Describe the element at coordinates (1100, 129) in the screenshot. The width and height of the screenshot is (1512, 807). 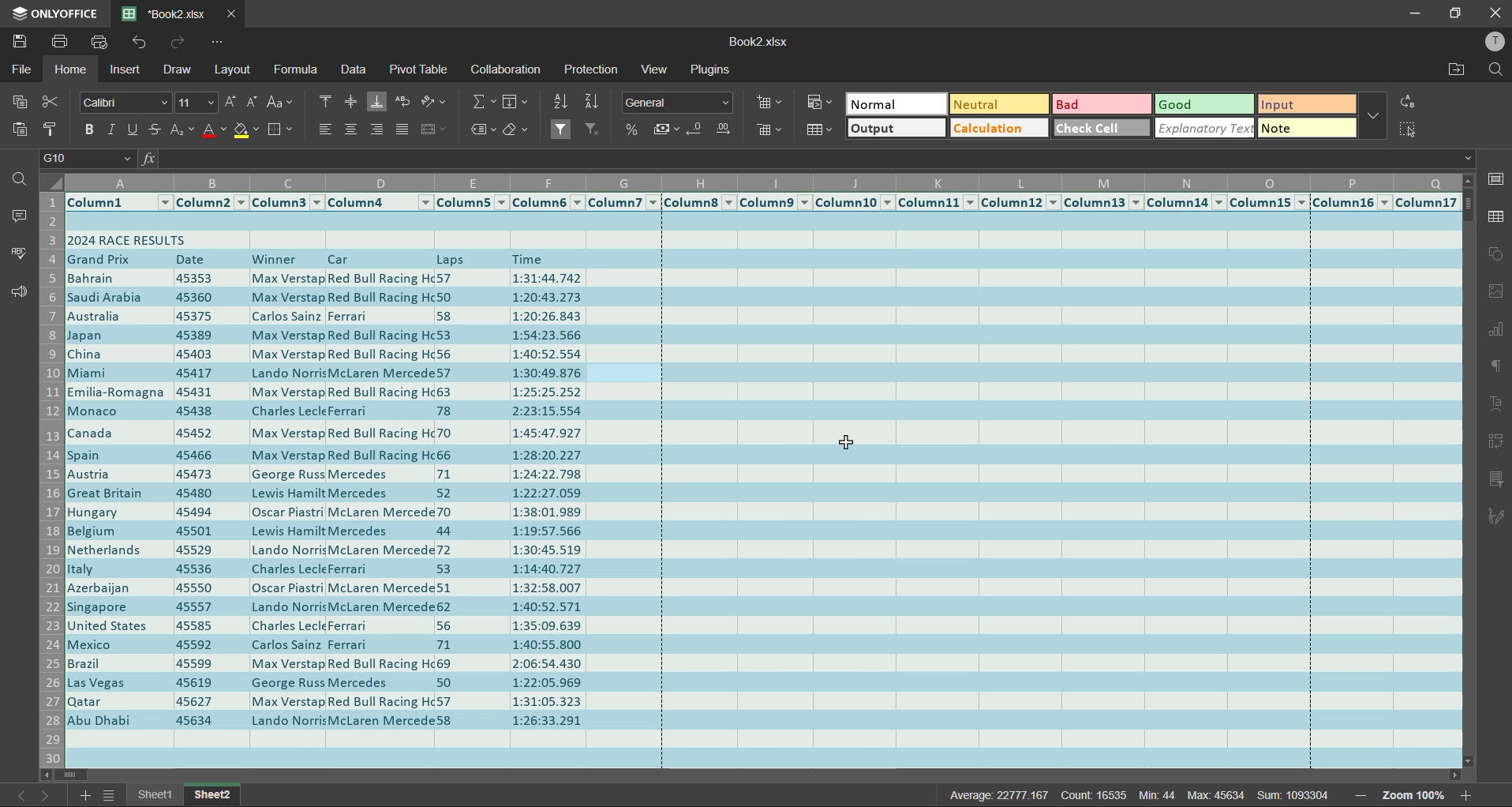
I see `check cell` at that location.